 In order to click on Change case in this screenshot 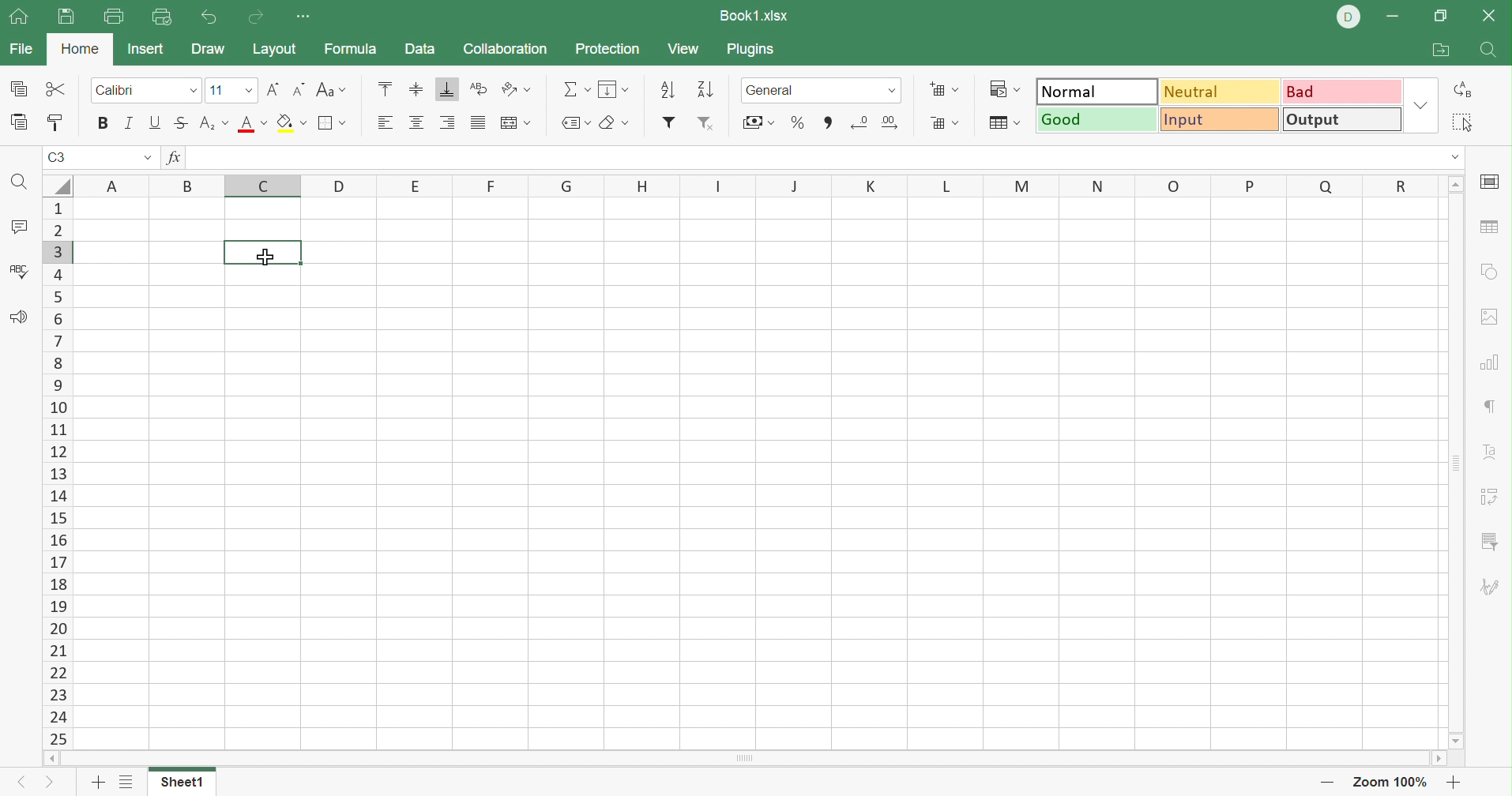, I will do `click(332, 90)`.